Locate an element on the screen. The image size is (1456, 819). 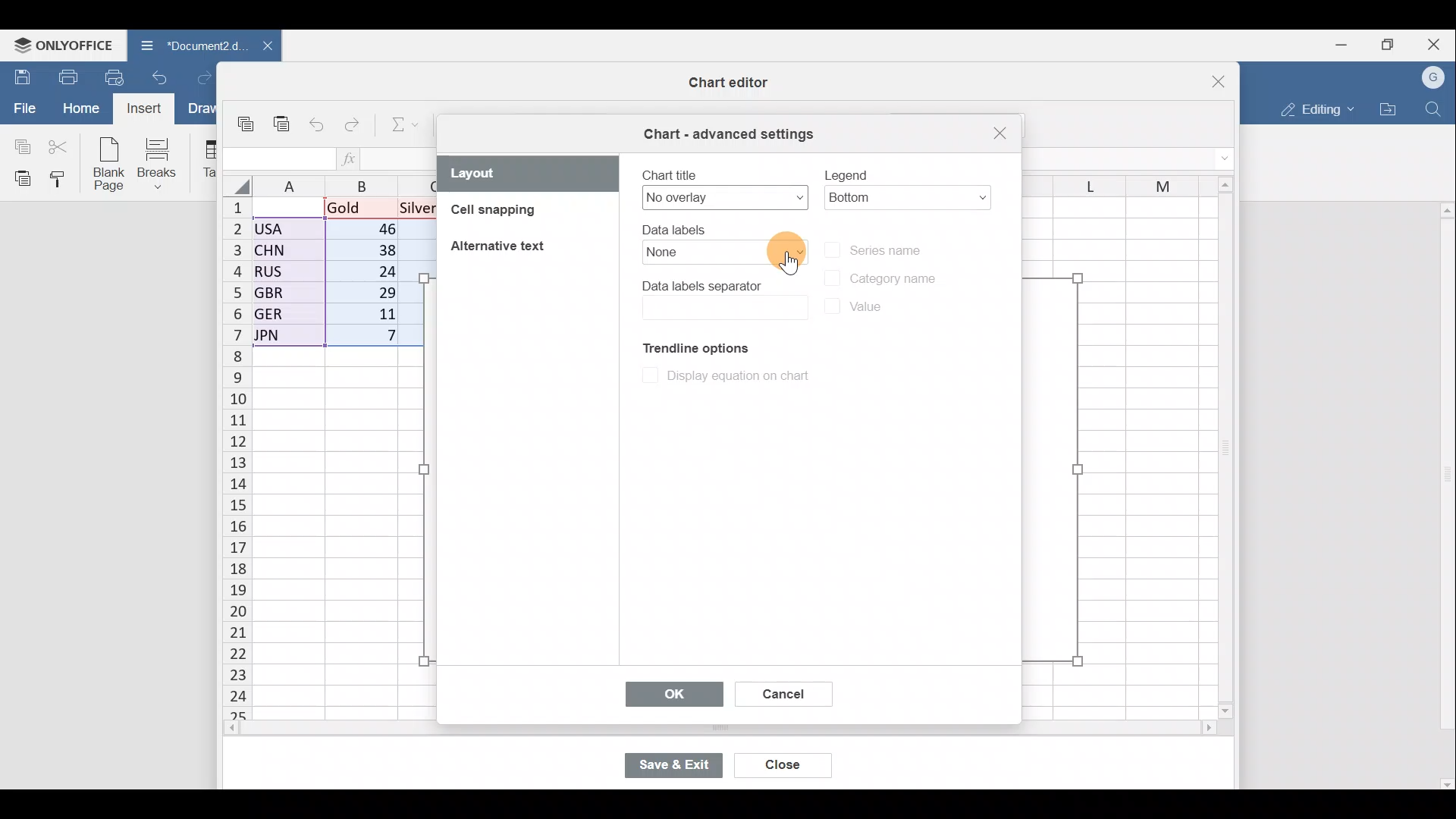
Chart title is located at coordinates (723, 186).